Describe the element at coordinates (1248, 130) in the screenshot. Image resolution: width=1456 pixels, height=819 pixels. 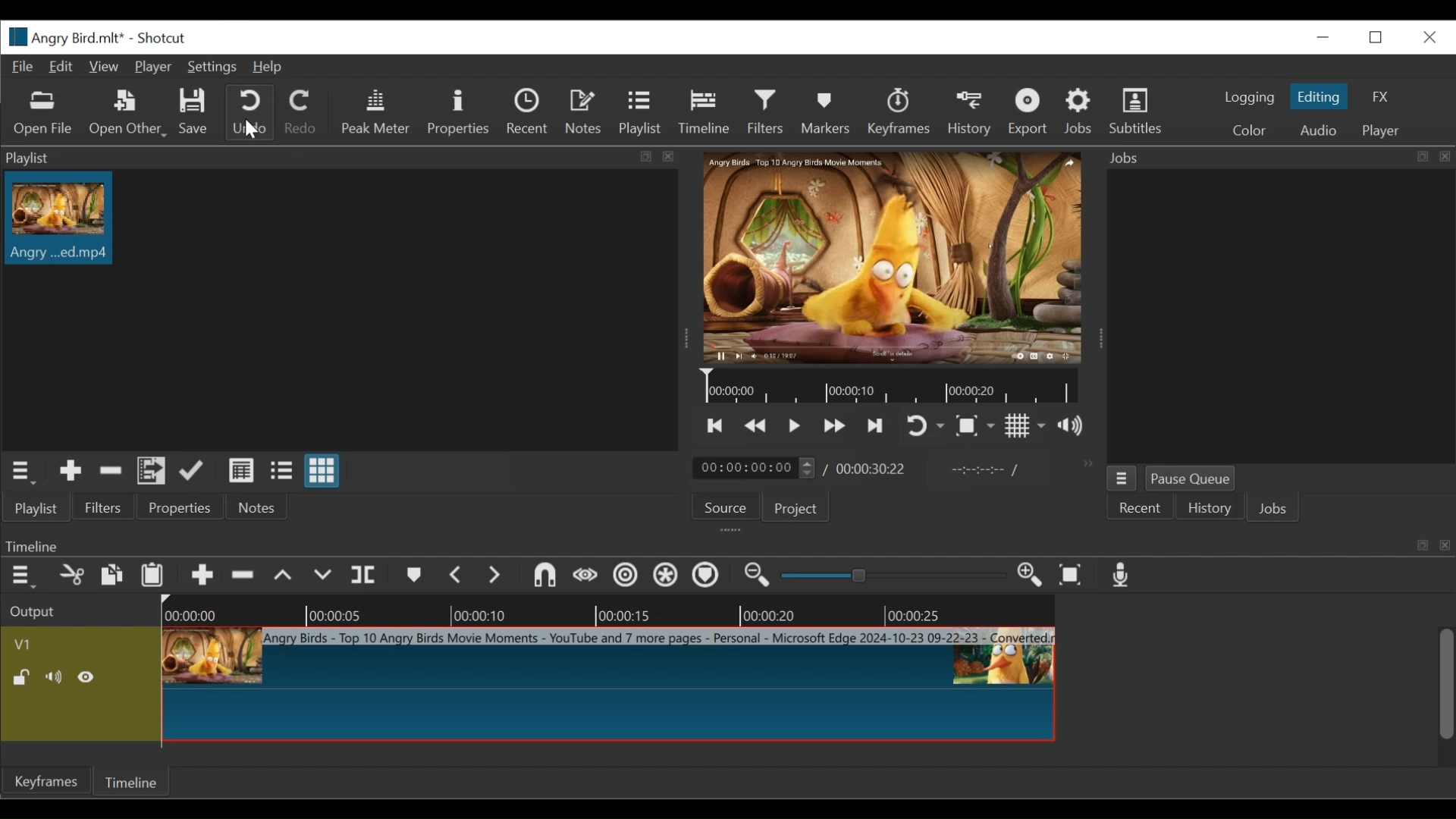
I see `Color` at that location.